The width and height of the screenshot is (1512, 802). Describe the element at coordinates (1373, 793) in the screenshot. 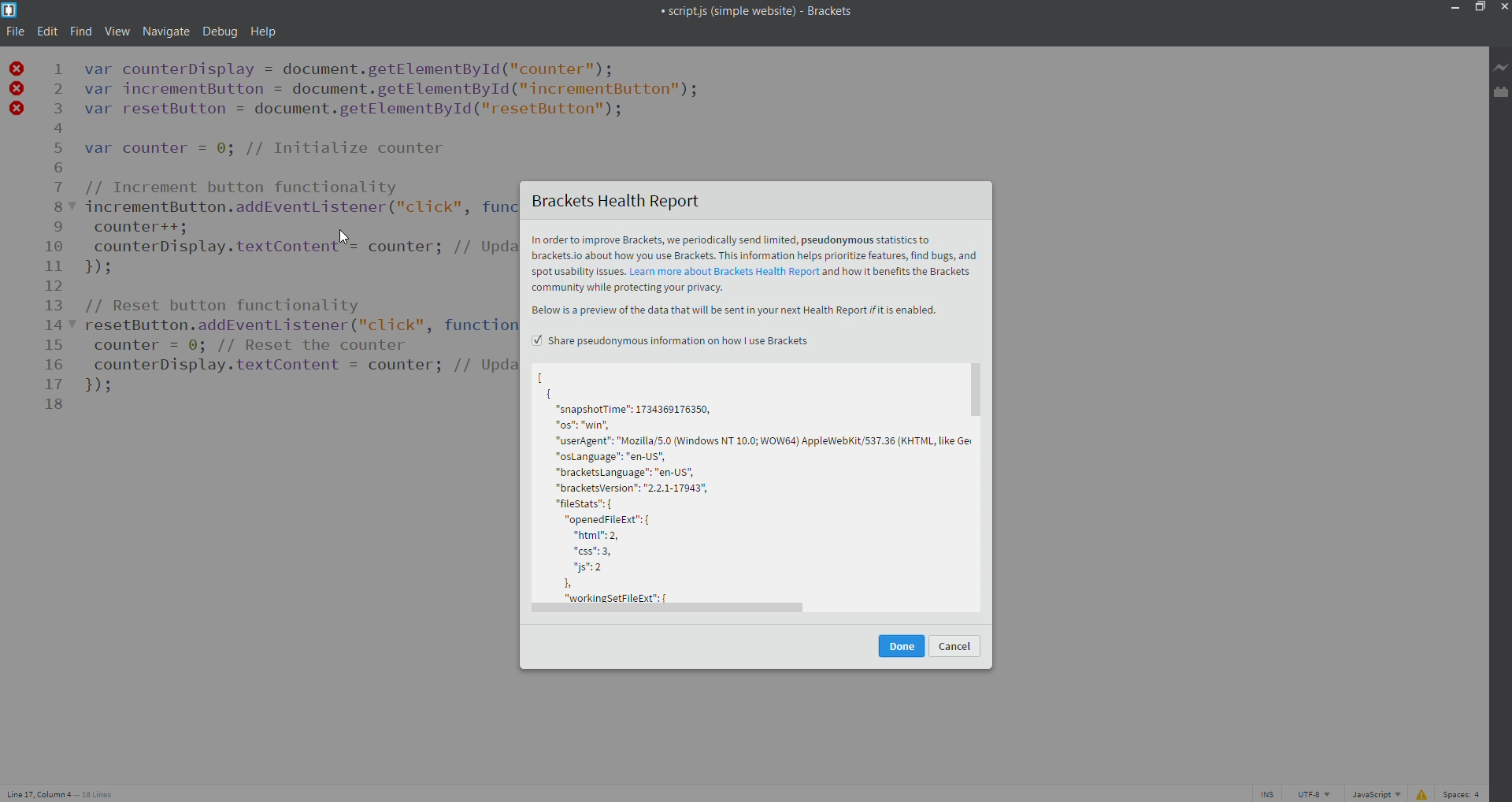

I see `file type` at that location.